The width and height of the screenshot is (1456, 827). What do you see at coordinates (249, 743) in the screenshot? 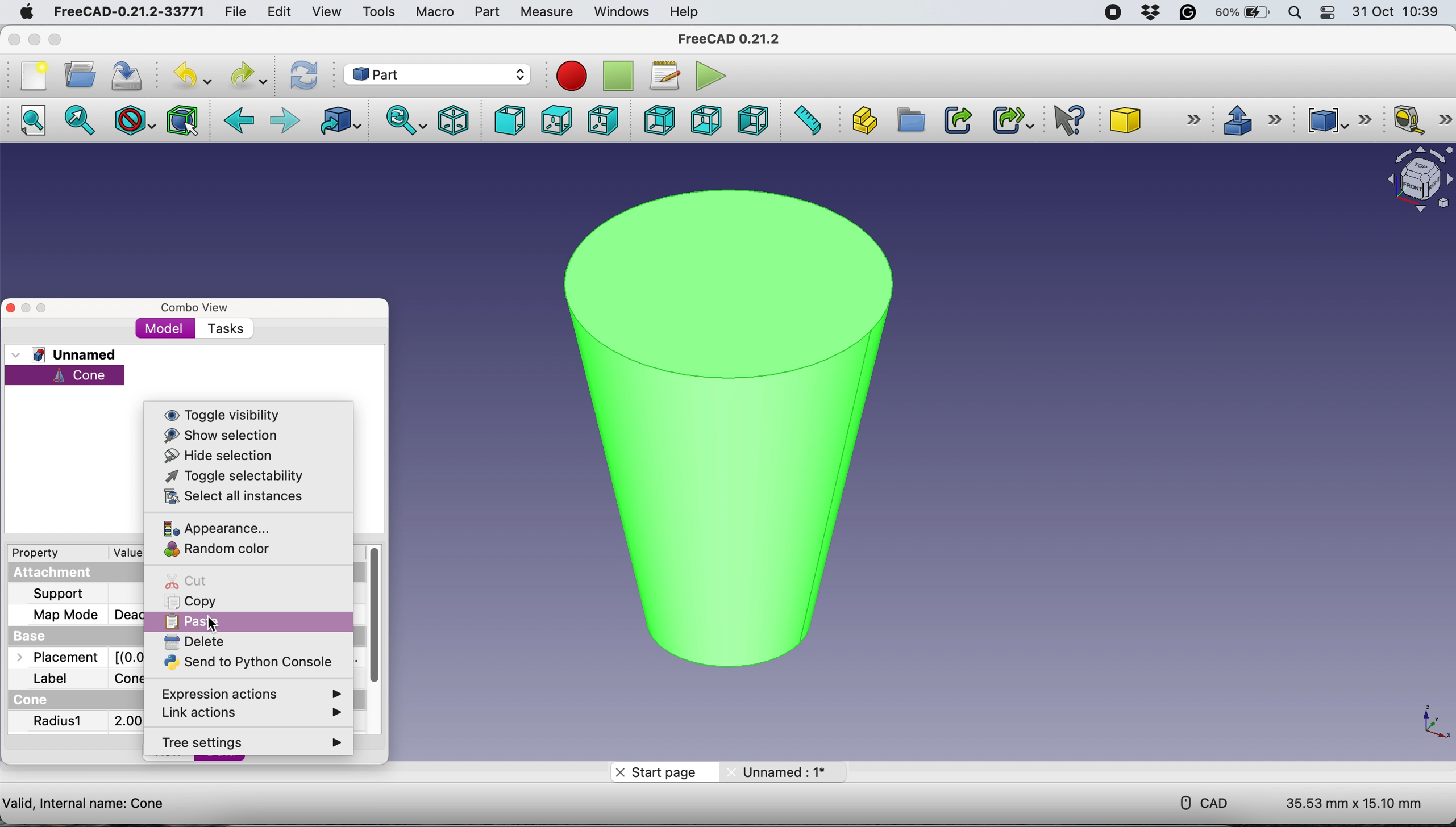
I see `tree settings` at bounding box center [249, 743].